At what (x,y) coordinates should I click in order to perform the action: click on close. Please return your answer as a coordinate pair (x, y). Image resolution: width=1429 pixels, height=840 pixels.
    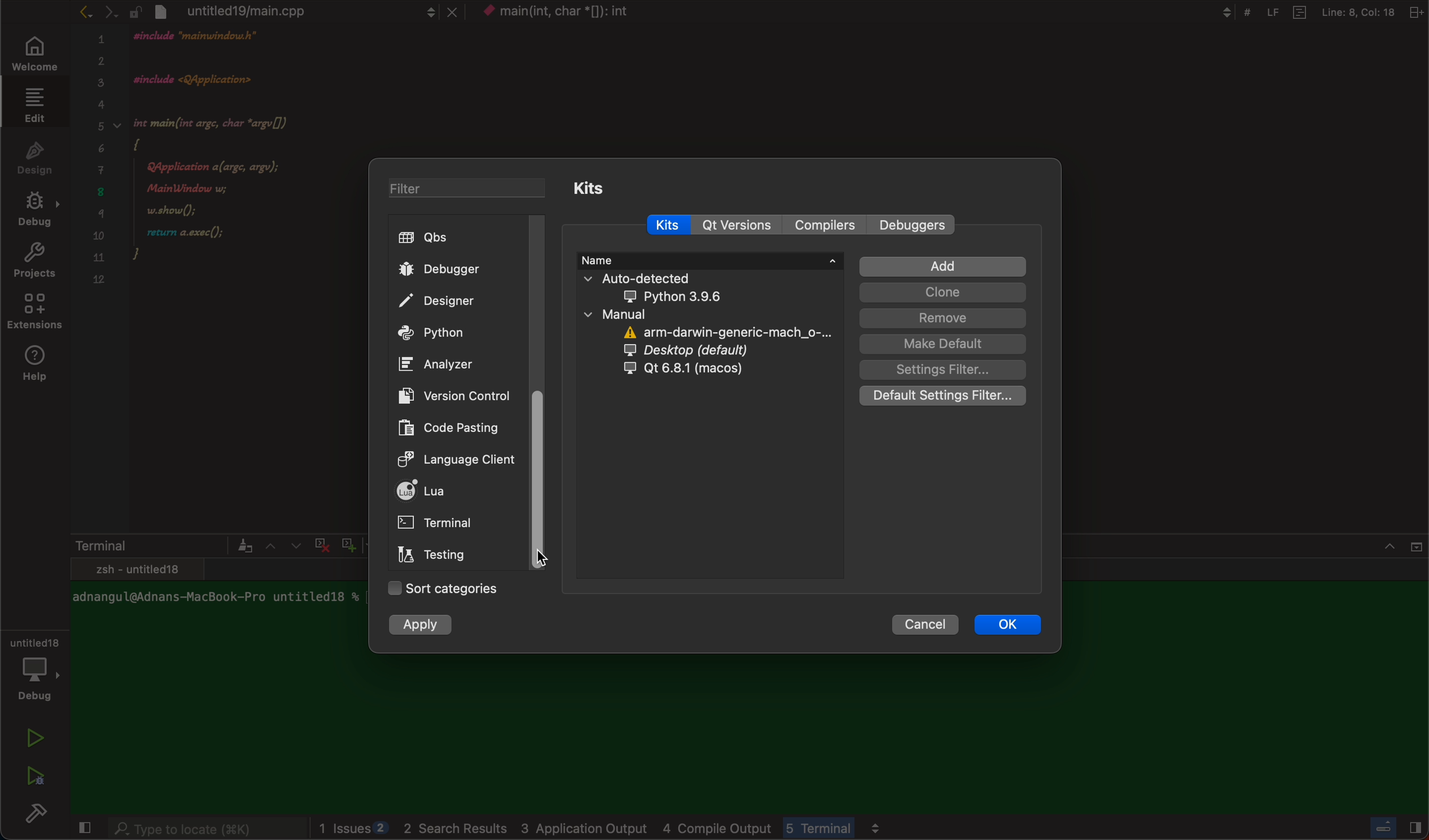
    Looking at the image, I should click on (82, 829).